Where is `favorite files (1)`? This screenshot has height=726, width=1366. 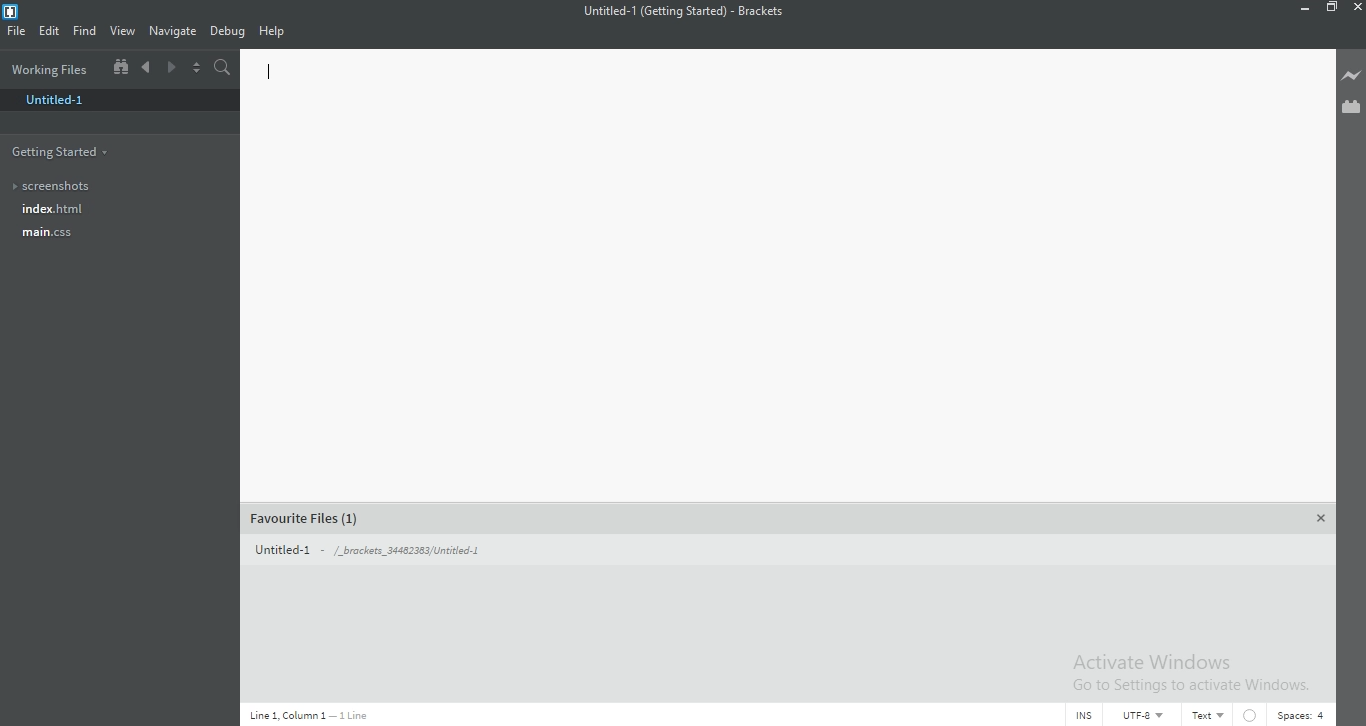
favorite files (1) is located at coordinates (312, 516).